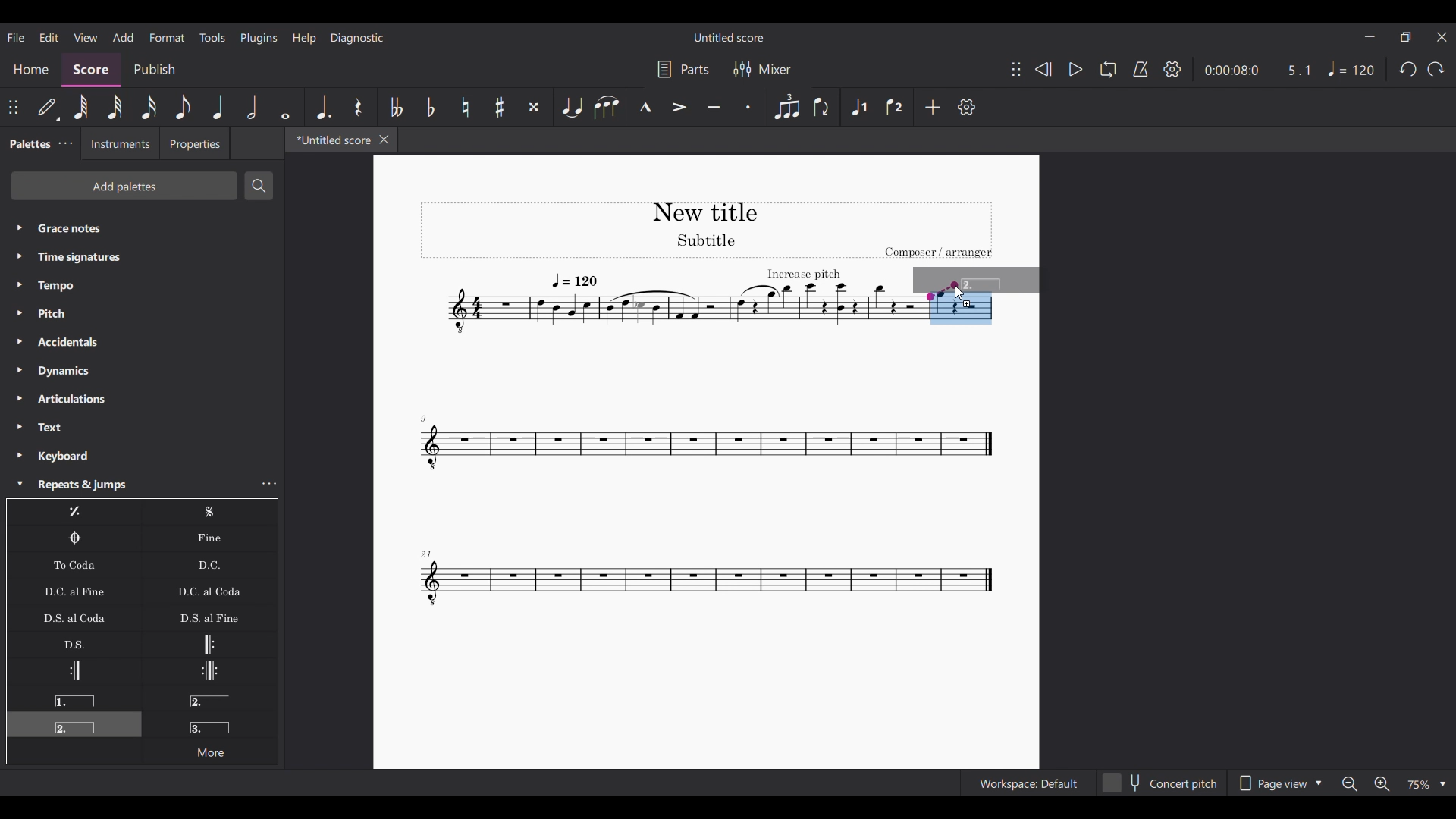 This screenshot has height=819, width=1456. I want to click on Voice 2, so click(896, 107).